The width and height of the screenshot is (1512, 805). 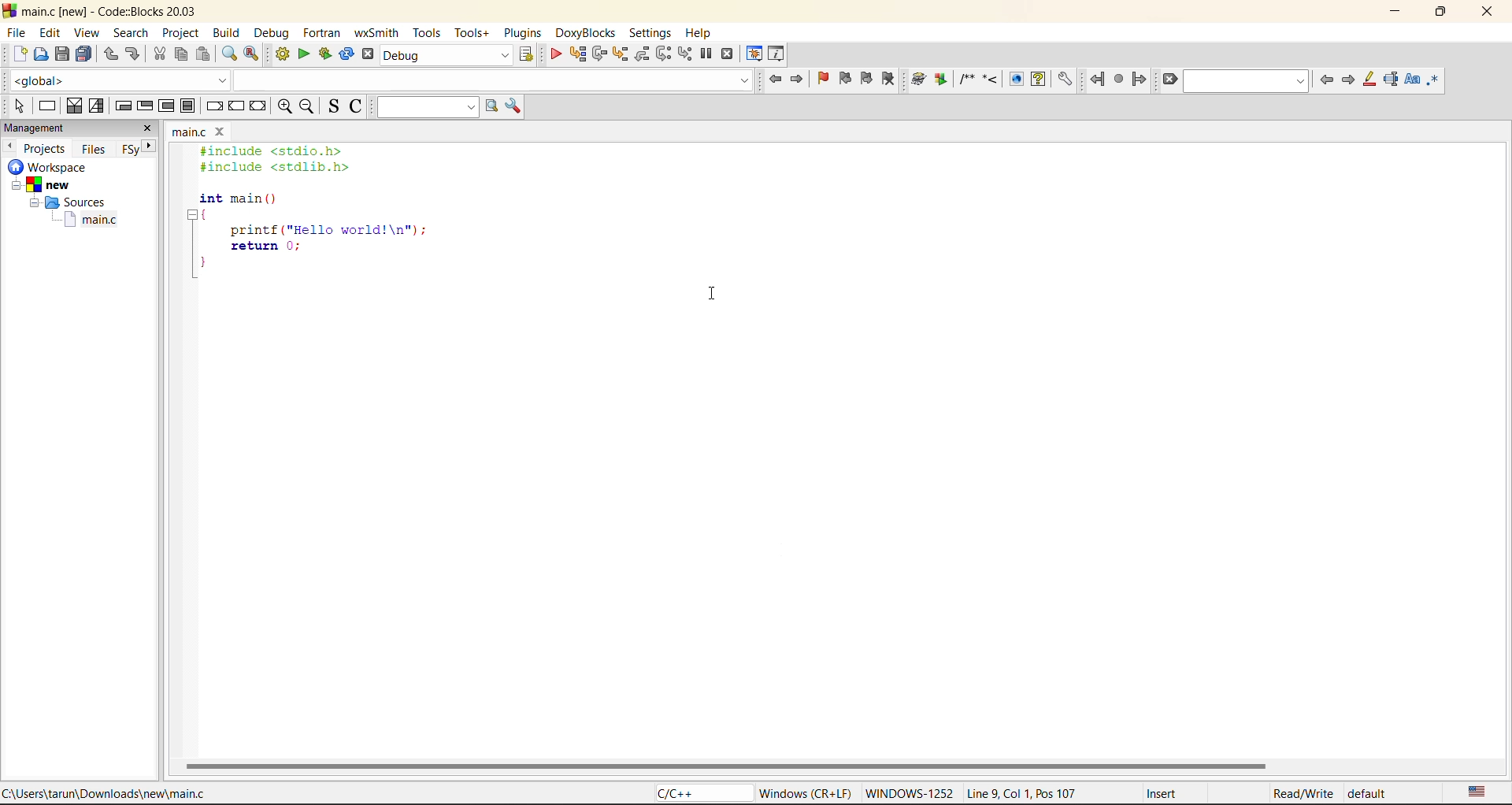 What do you see at coordinates (98, 106) in the screenshot?
I see `selection` at bounding box center [98, 106].